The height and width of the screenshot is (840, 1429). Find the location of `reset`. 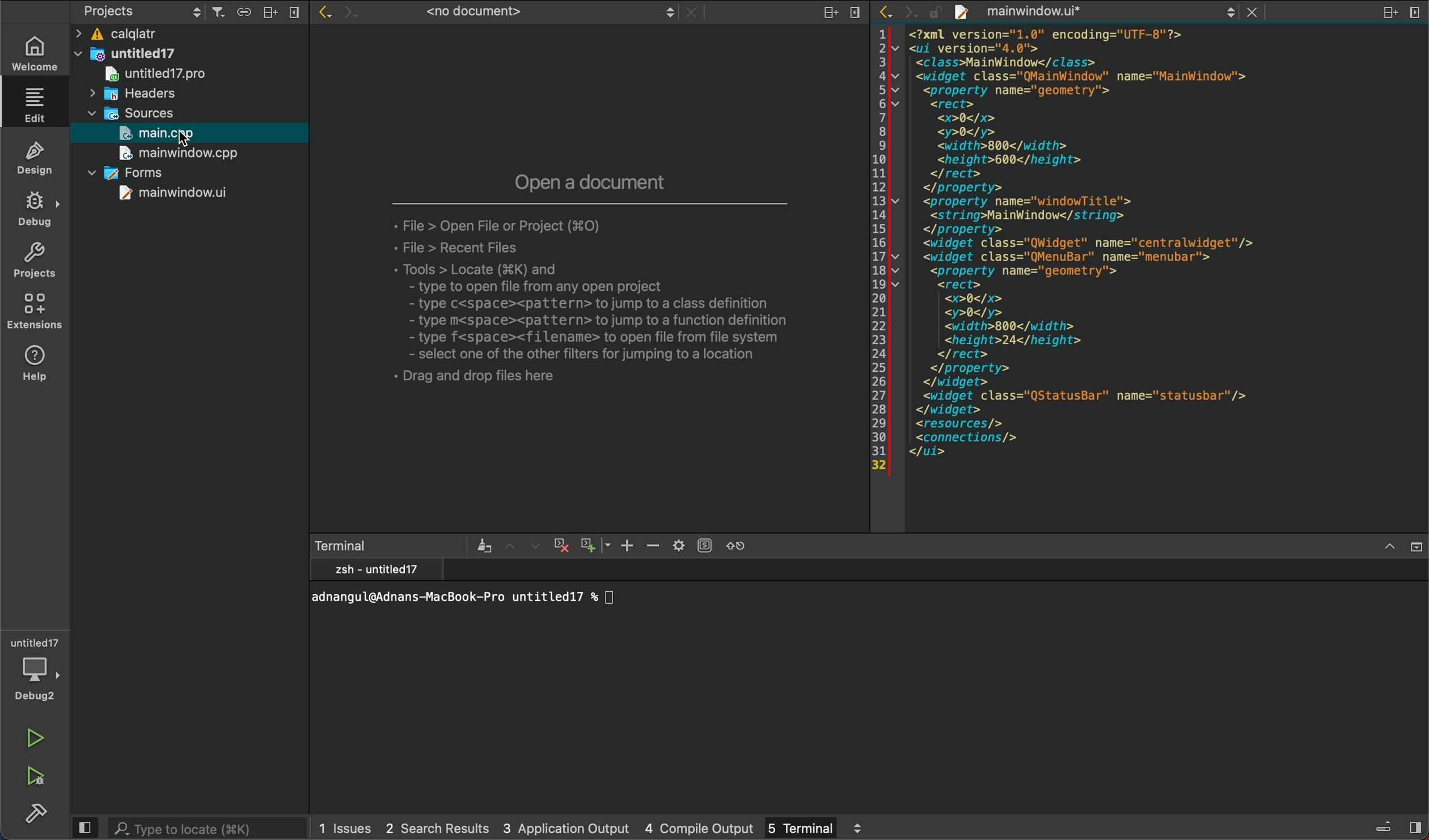

reset is located at coordinates (745, 545).